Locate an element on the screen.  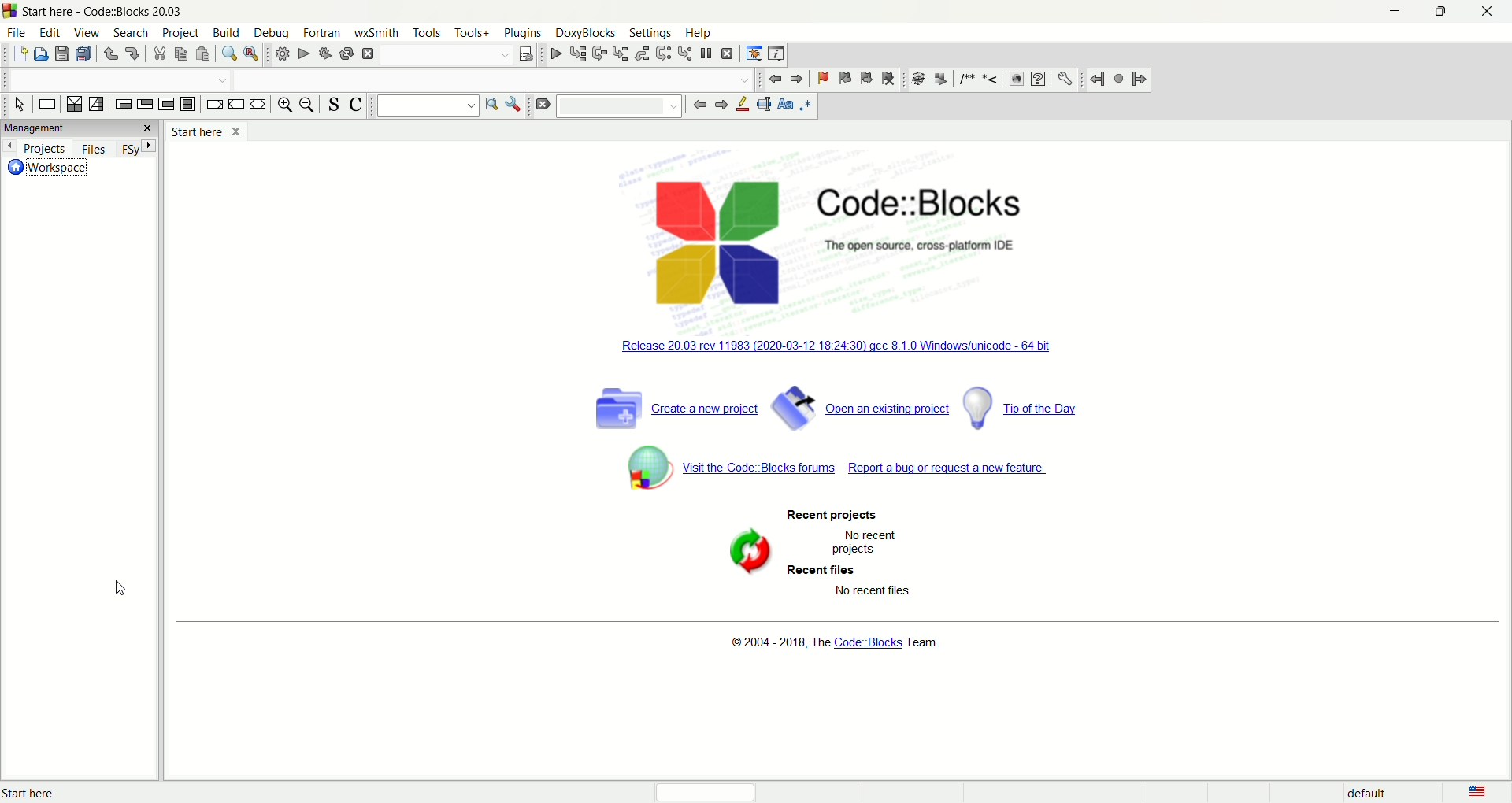
run to cursor is located at coordinates (576, 53).